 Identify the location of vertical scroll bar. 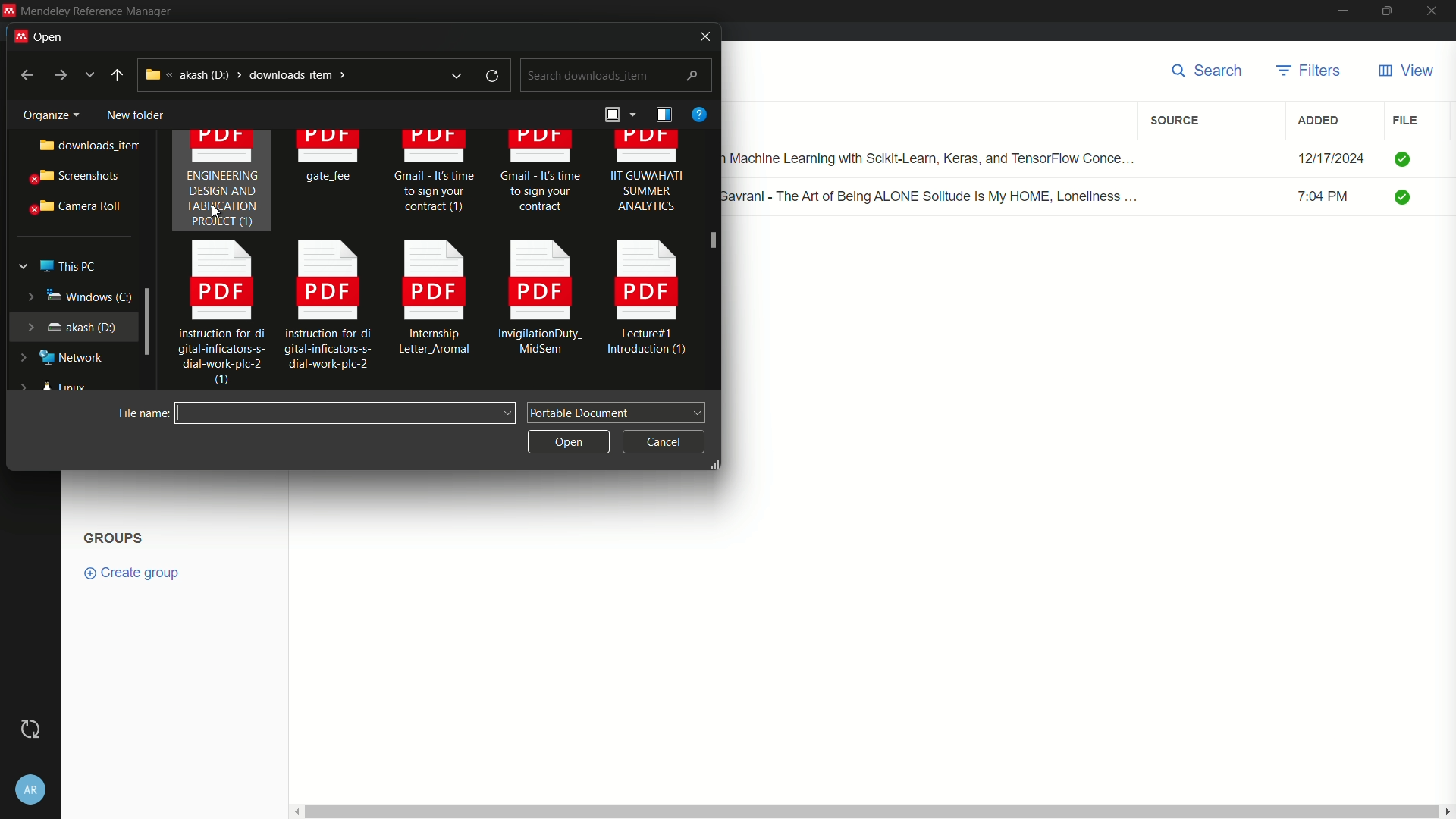
(870, 811).